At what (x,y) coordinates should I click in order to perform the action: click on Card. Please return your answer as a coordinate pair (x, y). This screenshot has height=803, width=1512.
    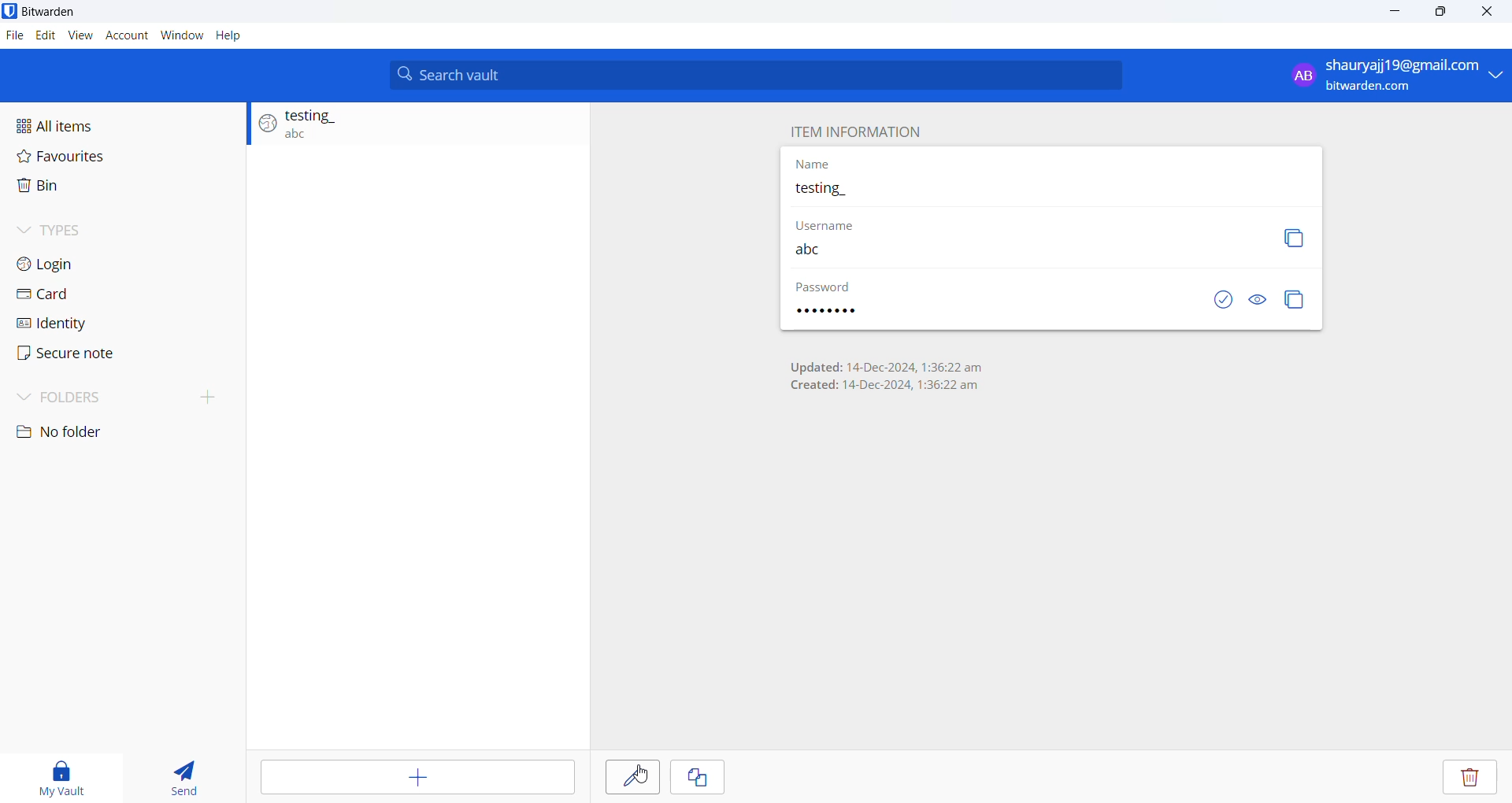
    Looking at the image, I should click on (108, 295).